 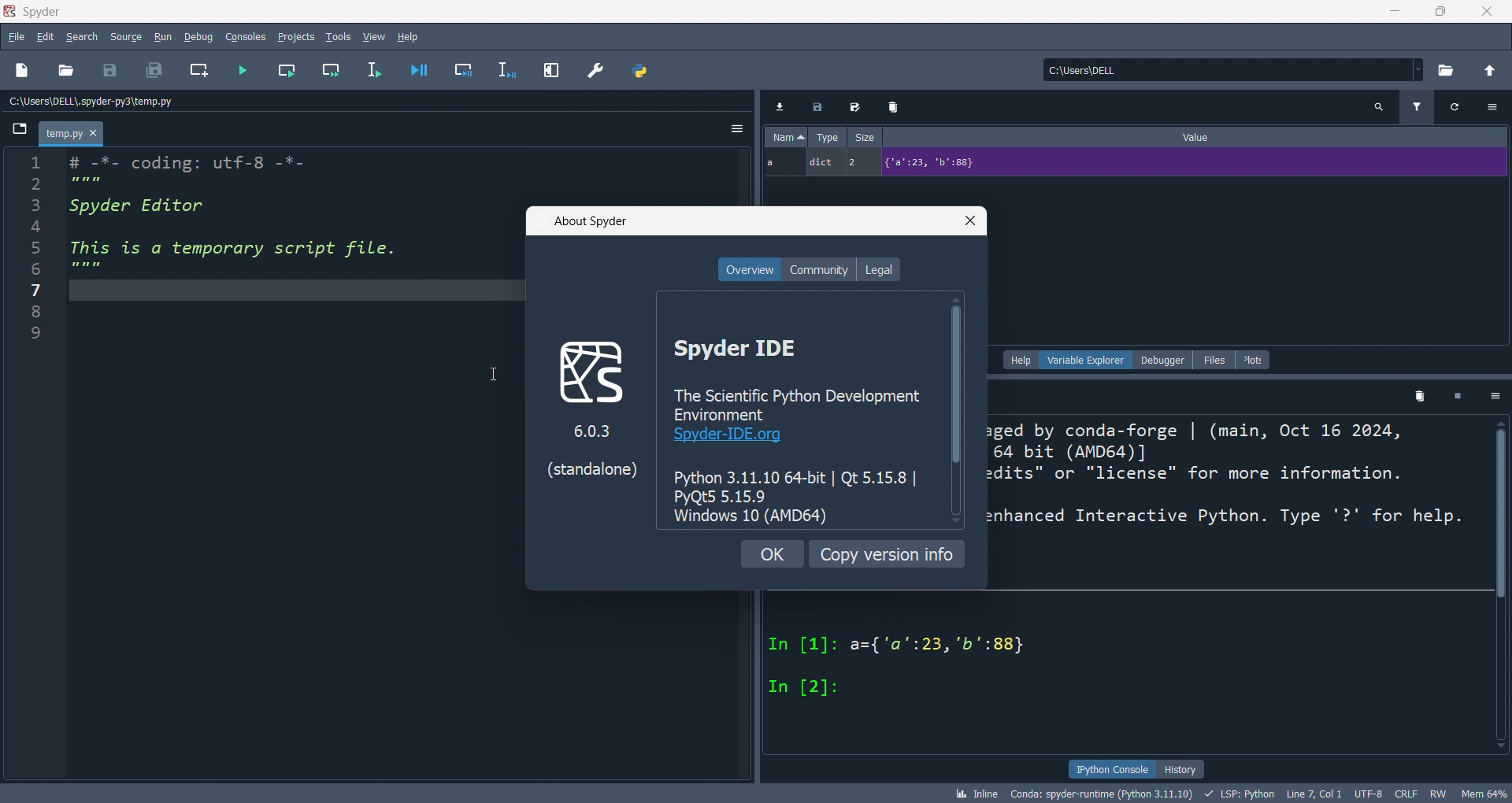 What do you see at coordinates (24, 72) in the screenshot?
I see `new file` at bounding box center [24, 72].